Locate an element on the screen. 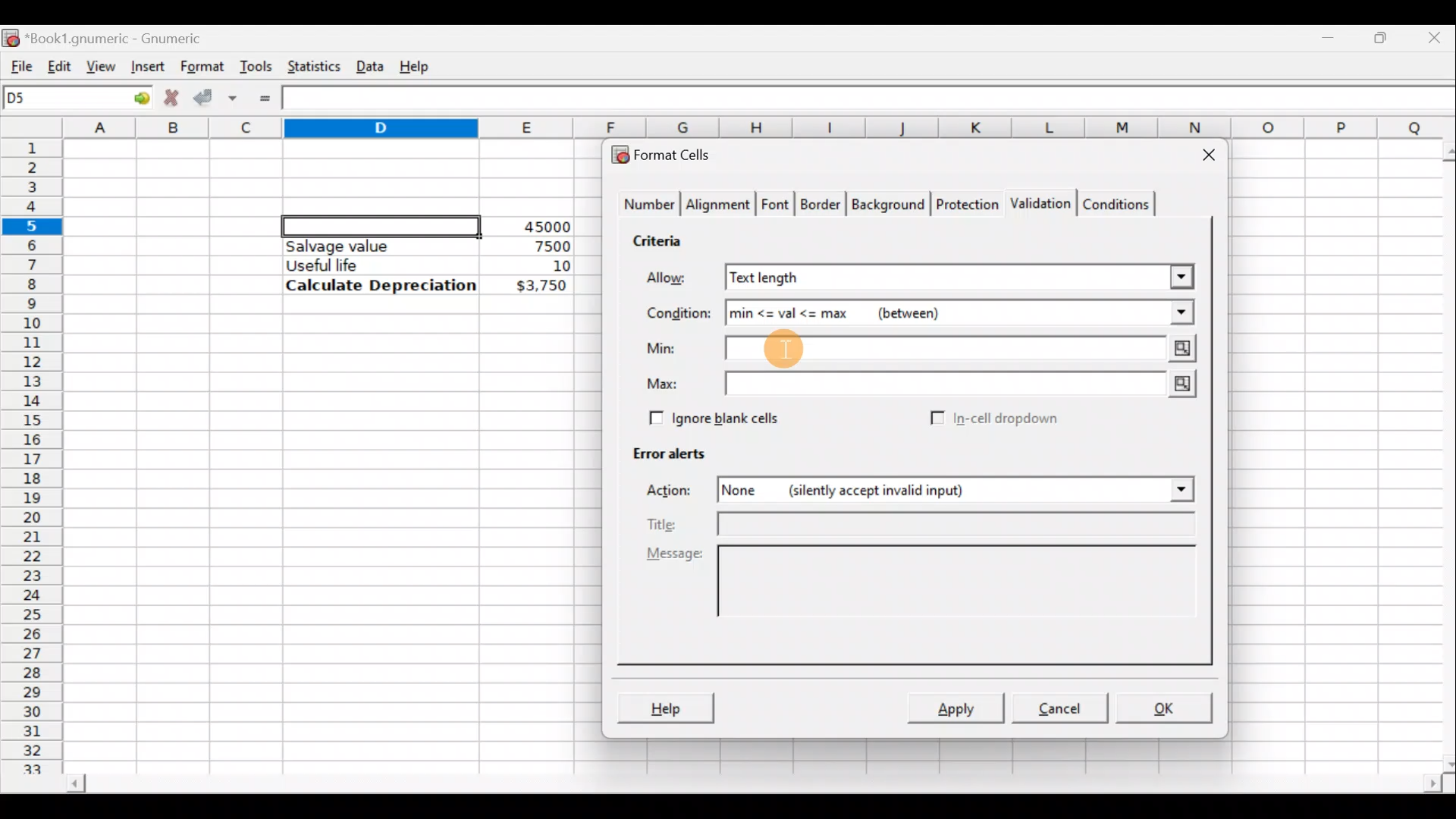  45000 is located at coordinates (541, 227).